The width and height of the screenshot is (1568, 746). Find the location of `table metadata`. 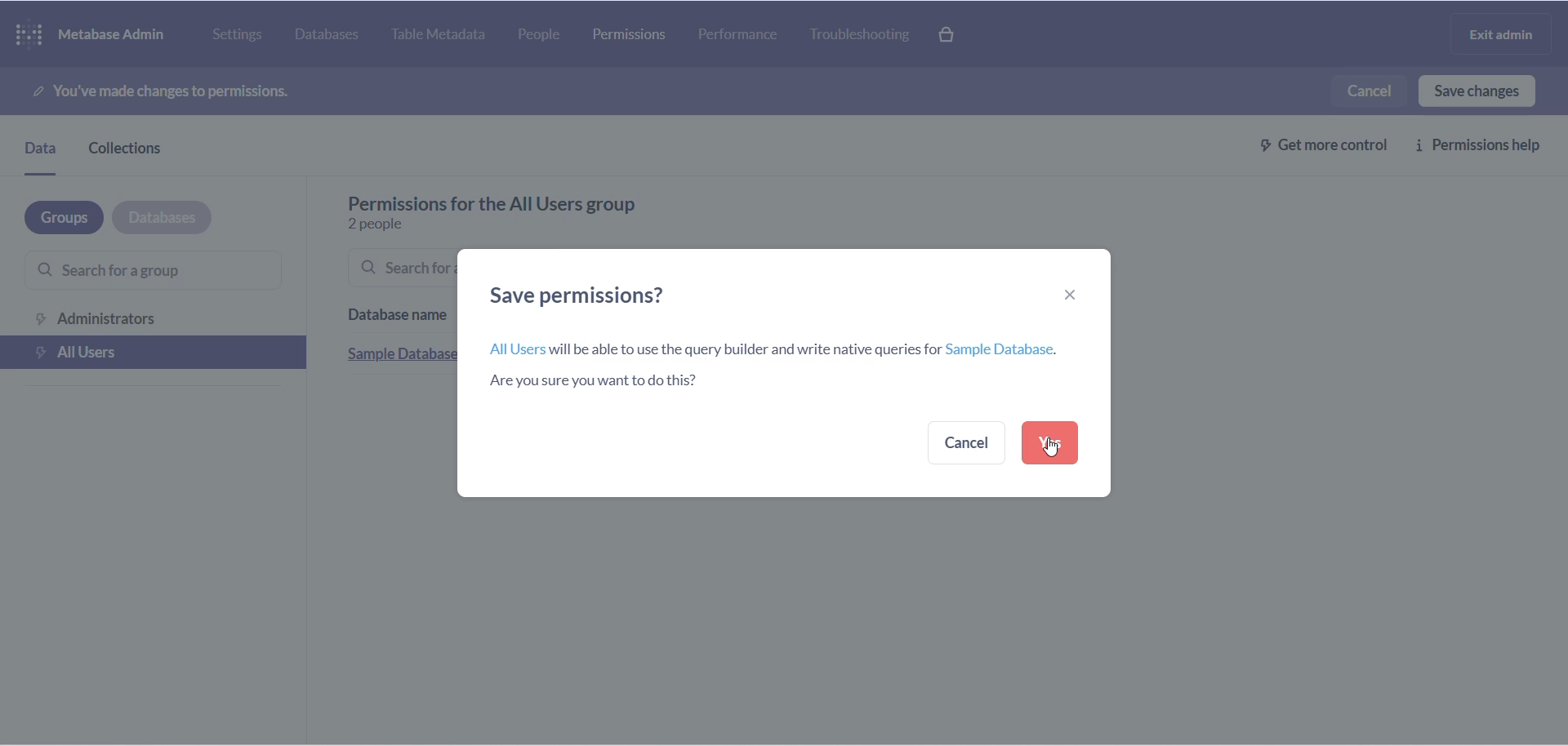

table metadata is located at coordinates (445, 36).